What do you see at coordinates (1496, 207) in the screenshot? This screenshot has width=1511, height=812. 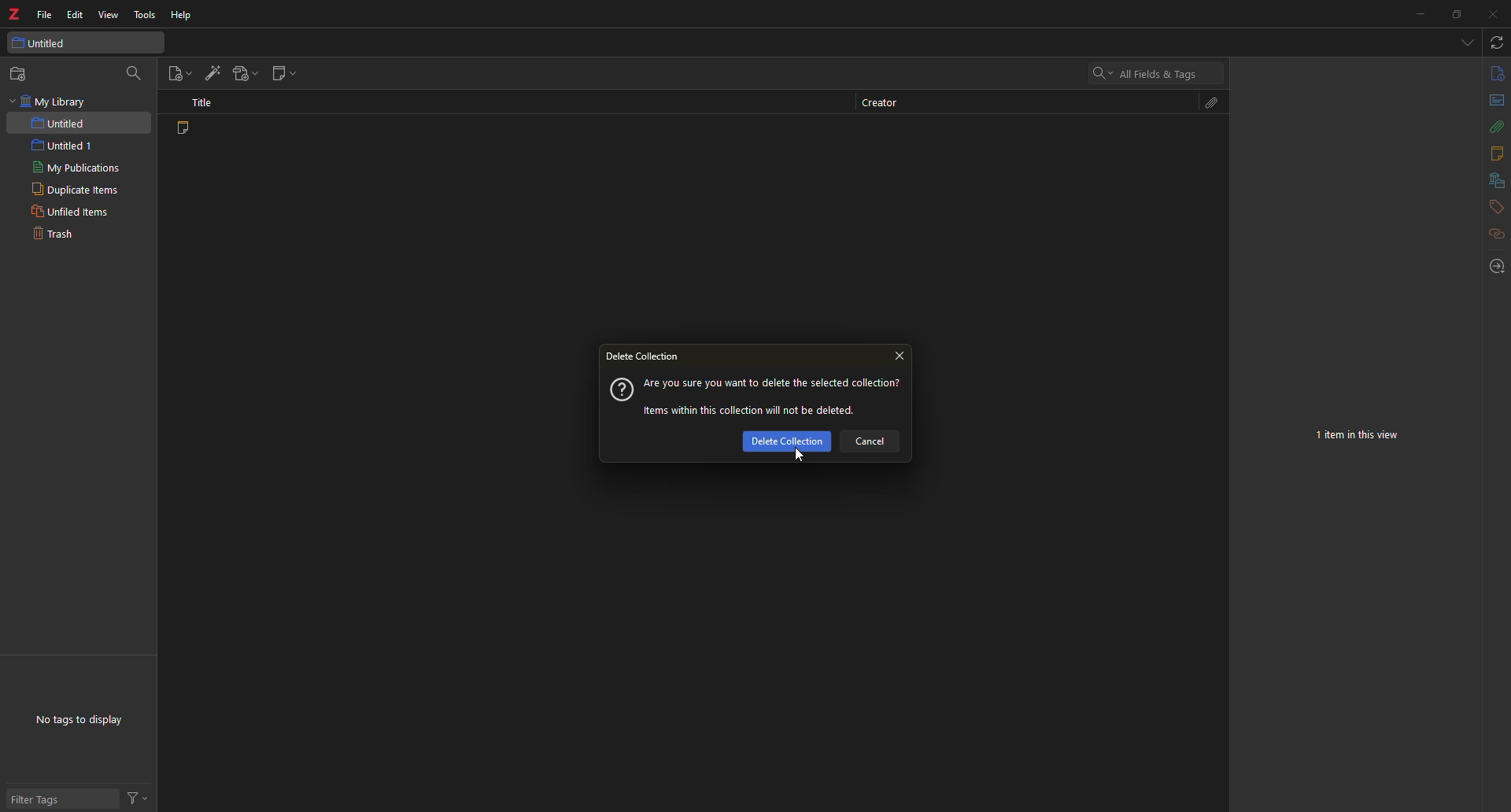 I see `tags` at bounding box center [1496, 207].